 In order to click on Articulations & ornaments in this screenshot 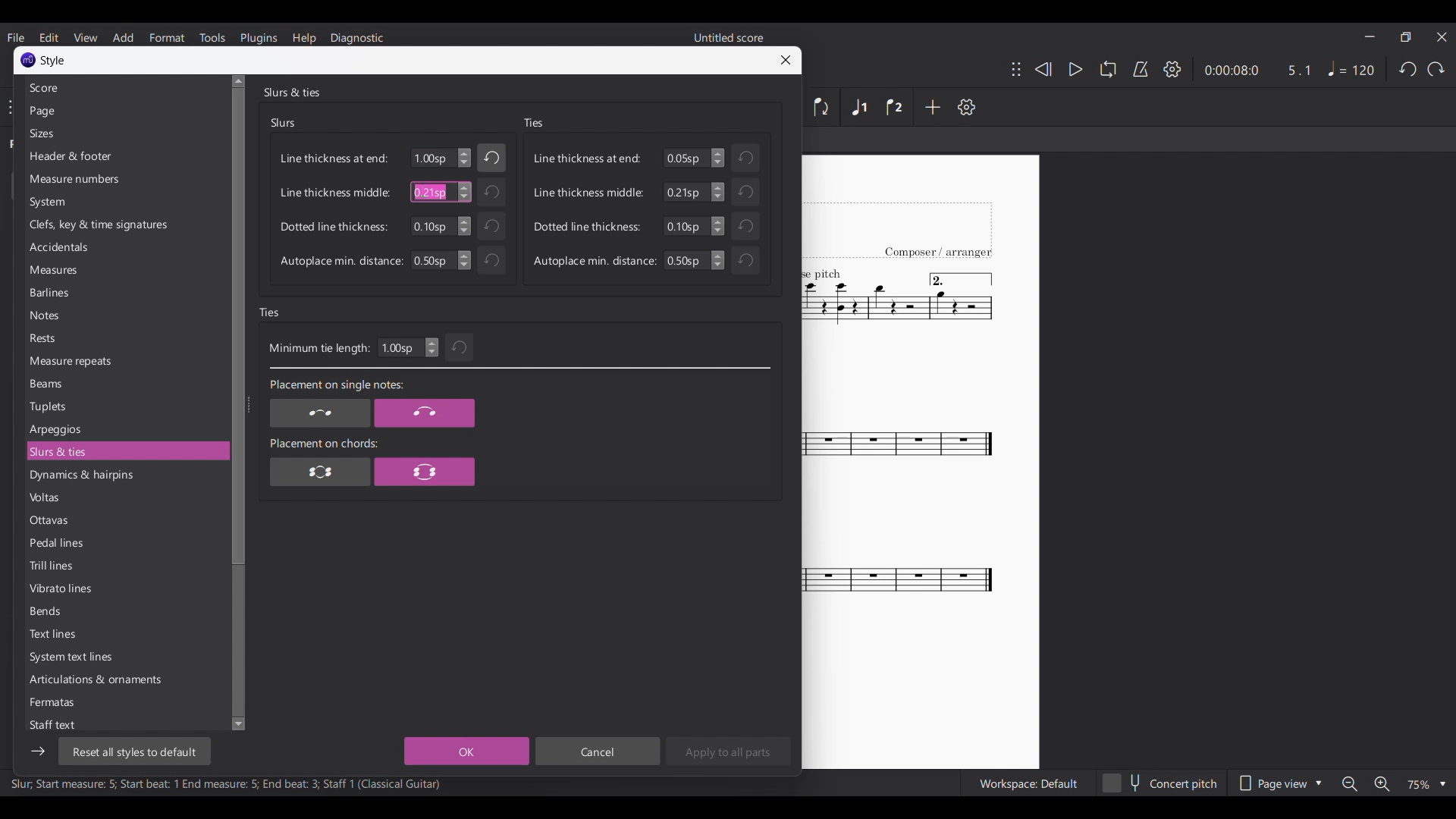, I will do `click(125, 679)`.